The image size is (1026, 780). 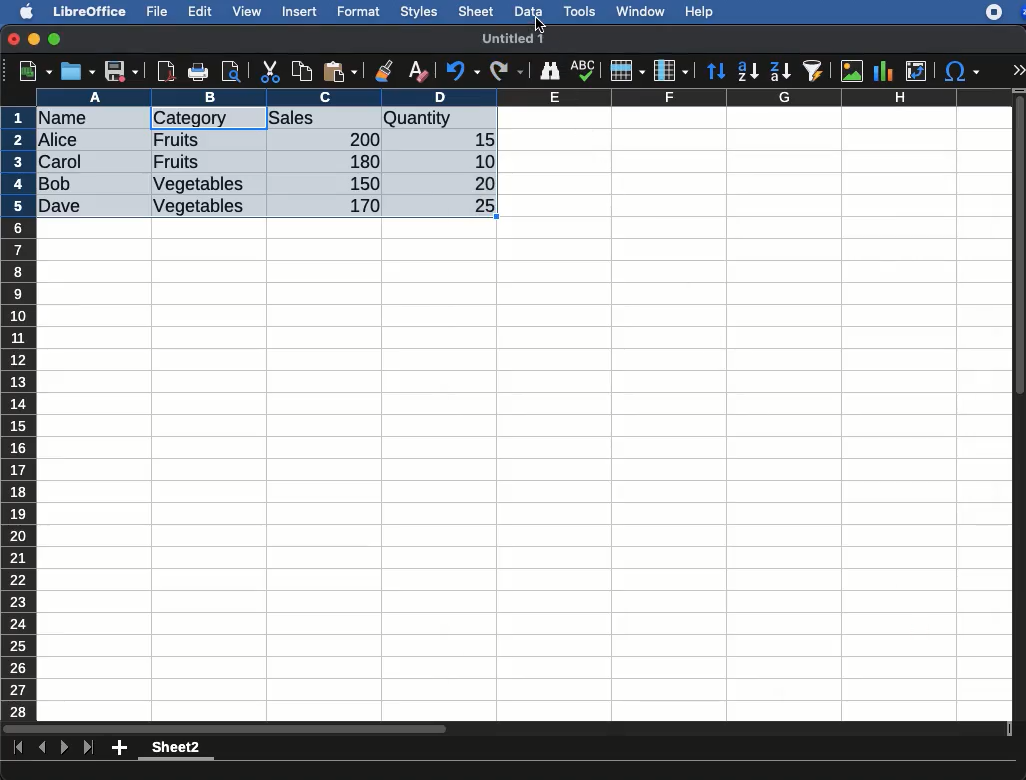 I want to click on spell check, so click(x=586, y=70).